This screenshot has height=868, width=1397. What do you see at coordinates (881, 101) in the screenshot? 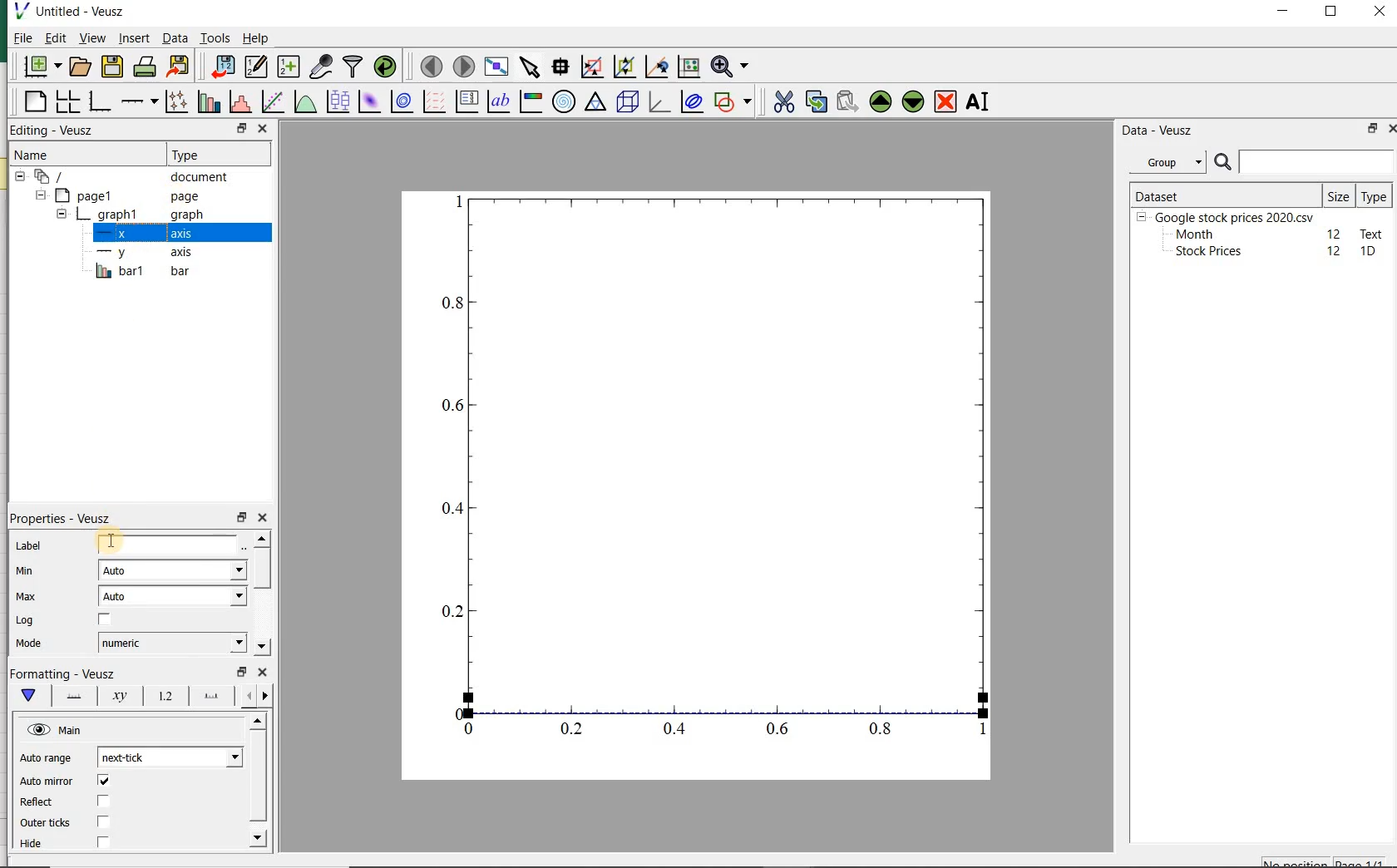
I see `move the selected widget up` at bounding box center [881, 101].